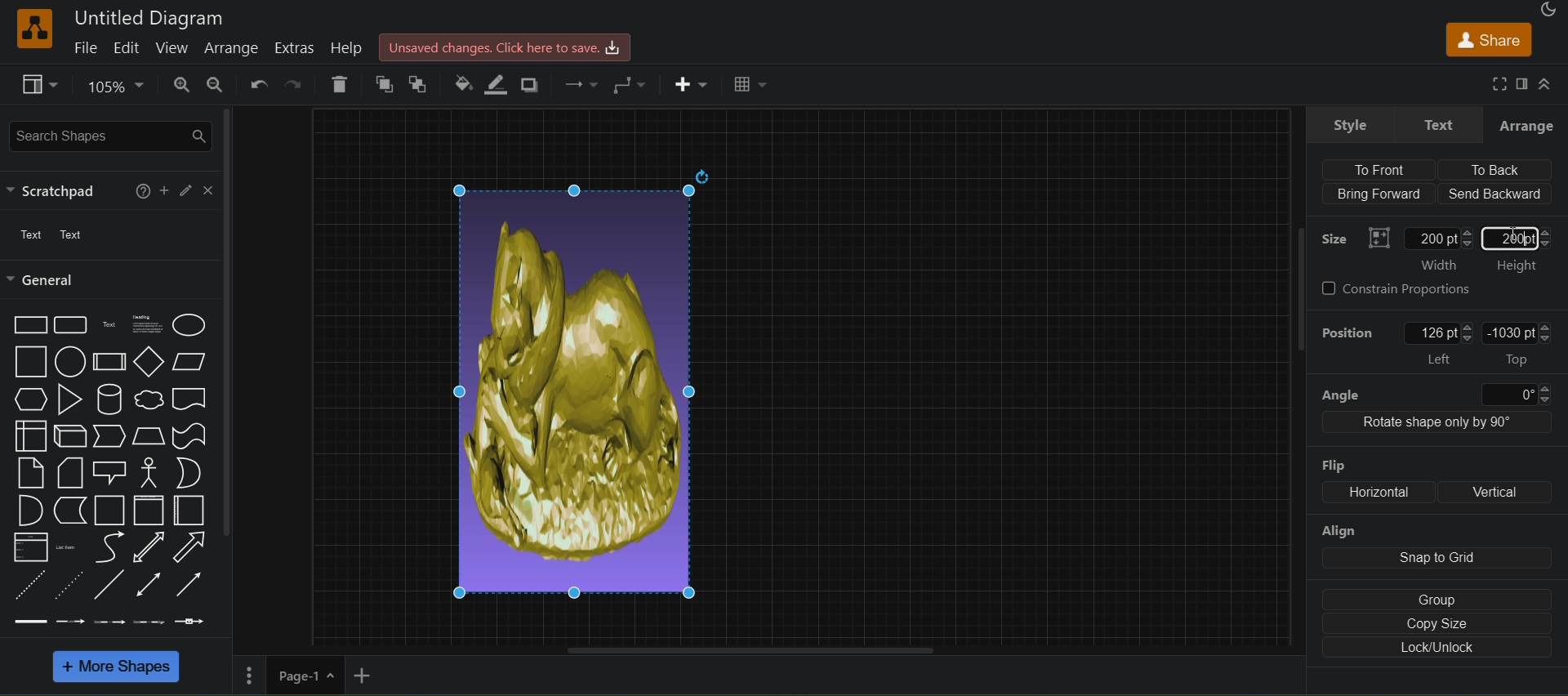  I want to click on add new page, so click(369, 676).